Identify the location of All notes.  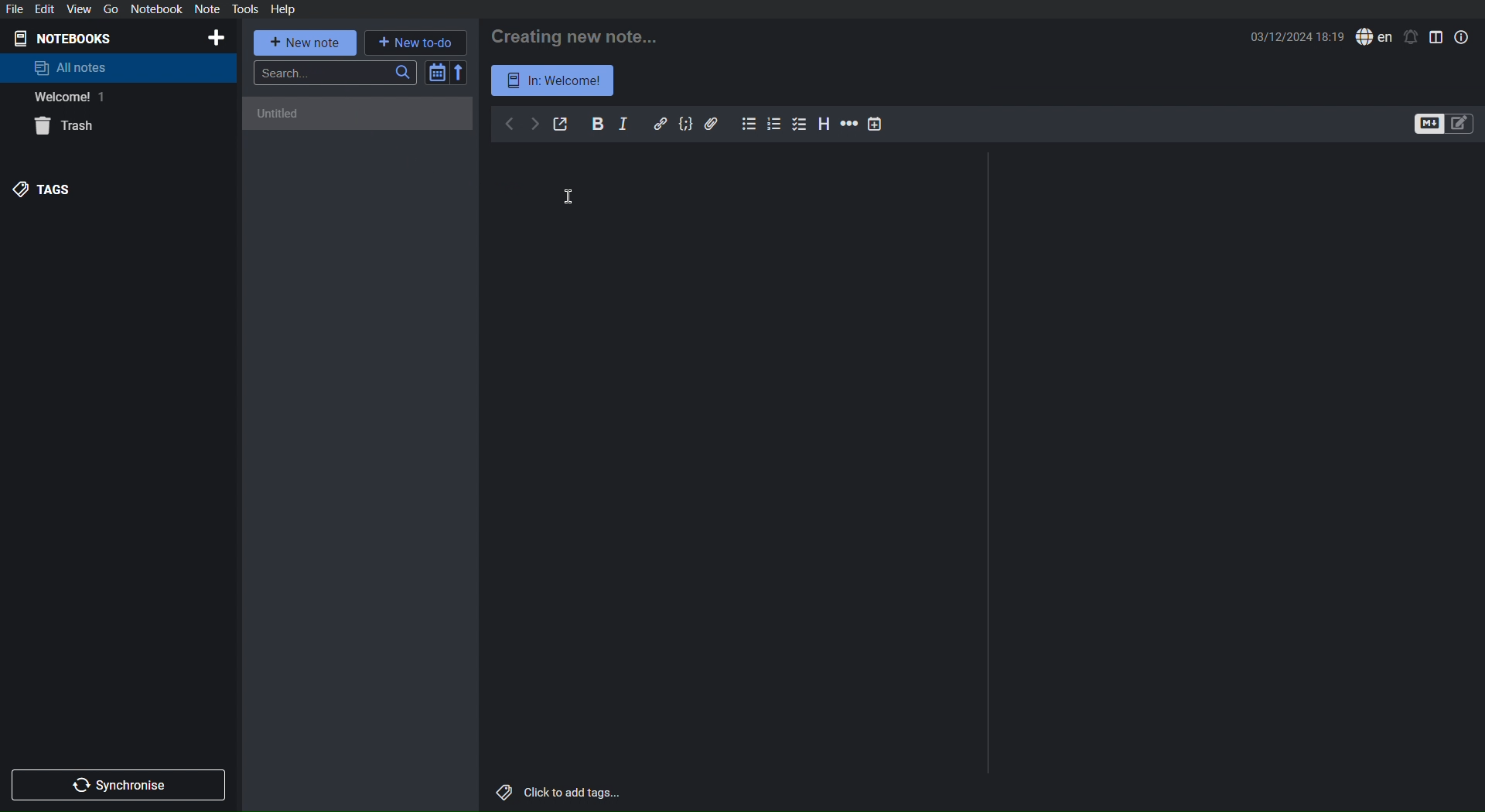
(71, 67).